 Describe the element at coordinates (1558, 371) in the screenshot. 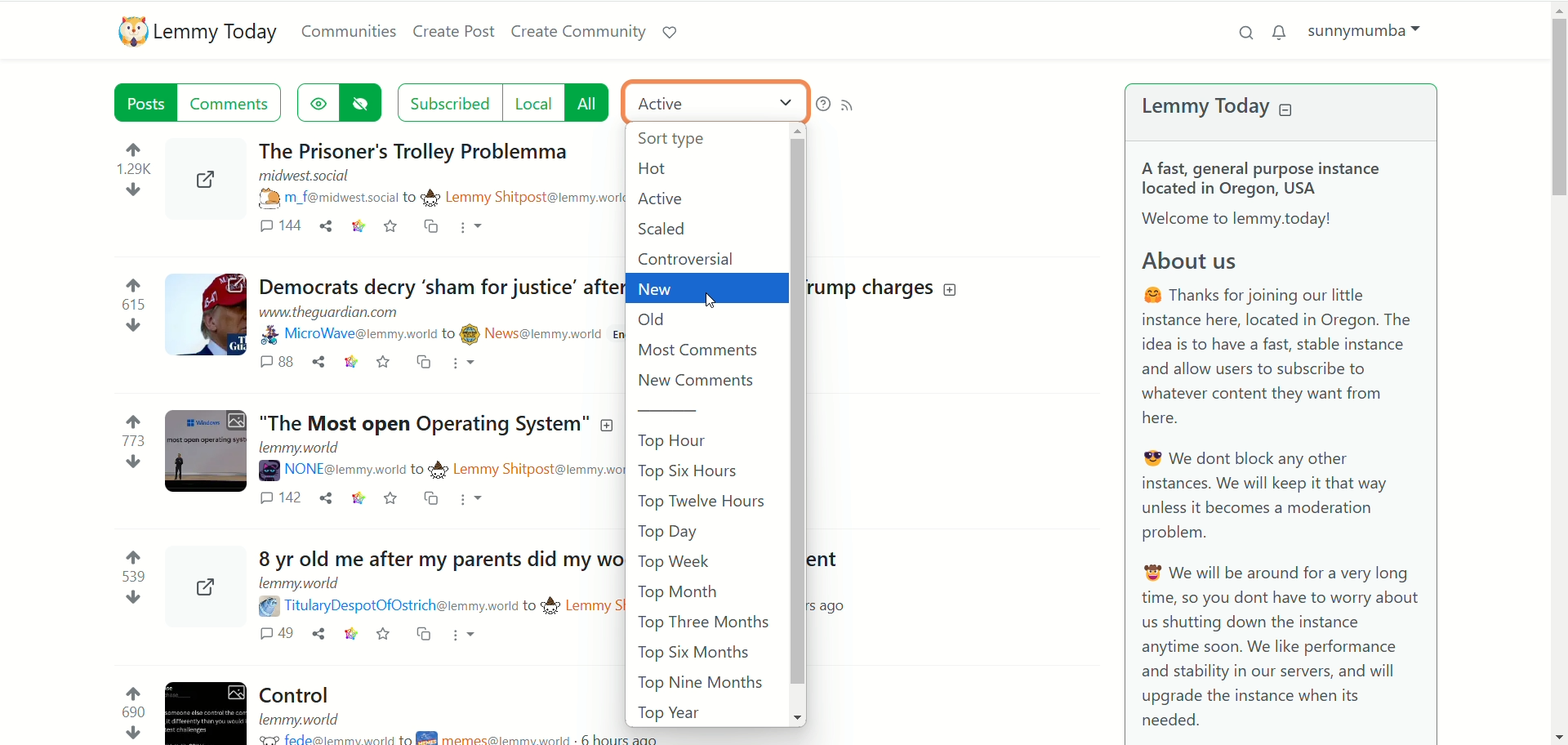

I see `vertical scroll bar` at that location.